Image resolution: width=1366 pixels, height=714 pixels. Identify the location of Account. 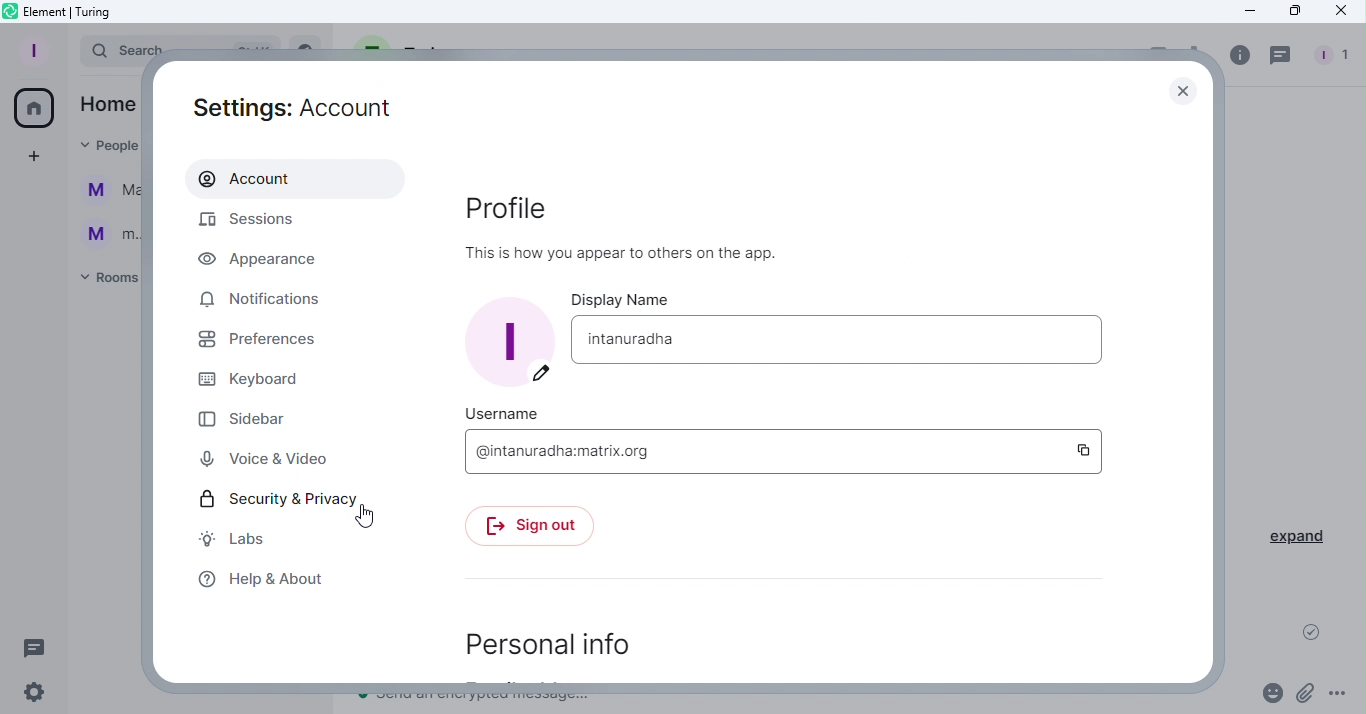
(289, 180).